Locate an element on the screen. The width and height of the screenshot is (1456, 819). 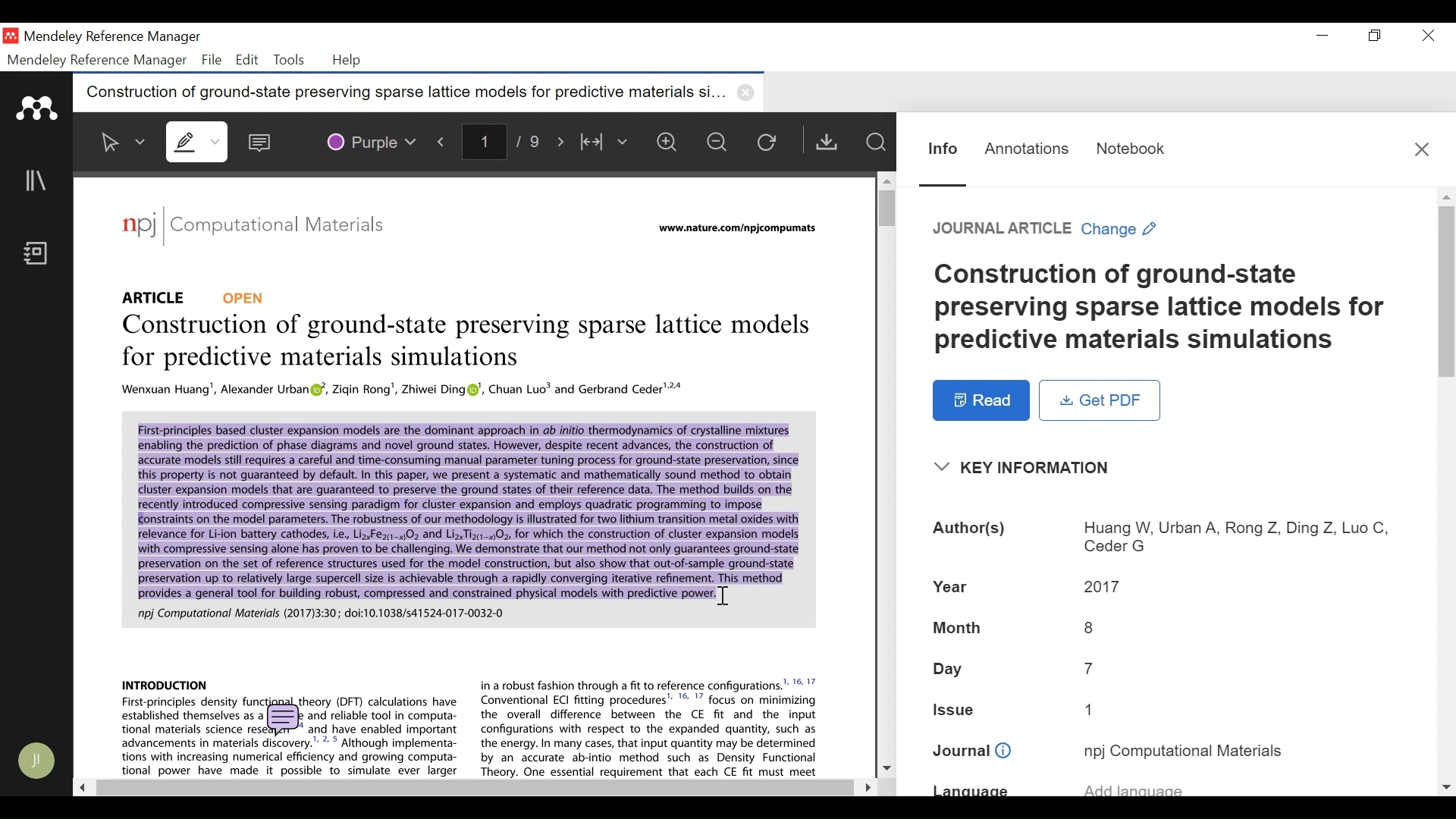
Notebook is located at coordinates (1131, 149).